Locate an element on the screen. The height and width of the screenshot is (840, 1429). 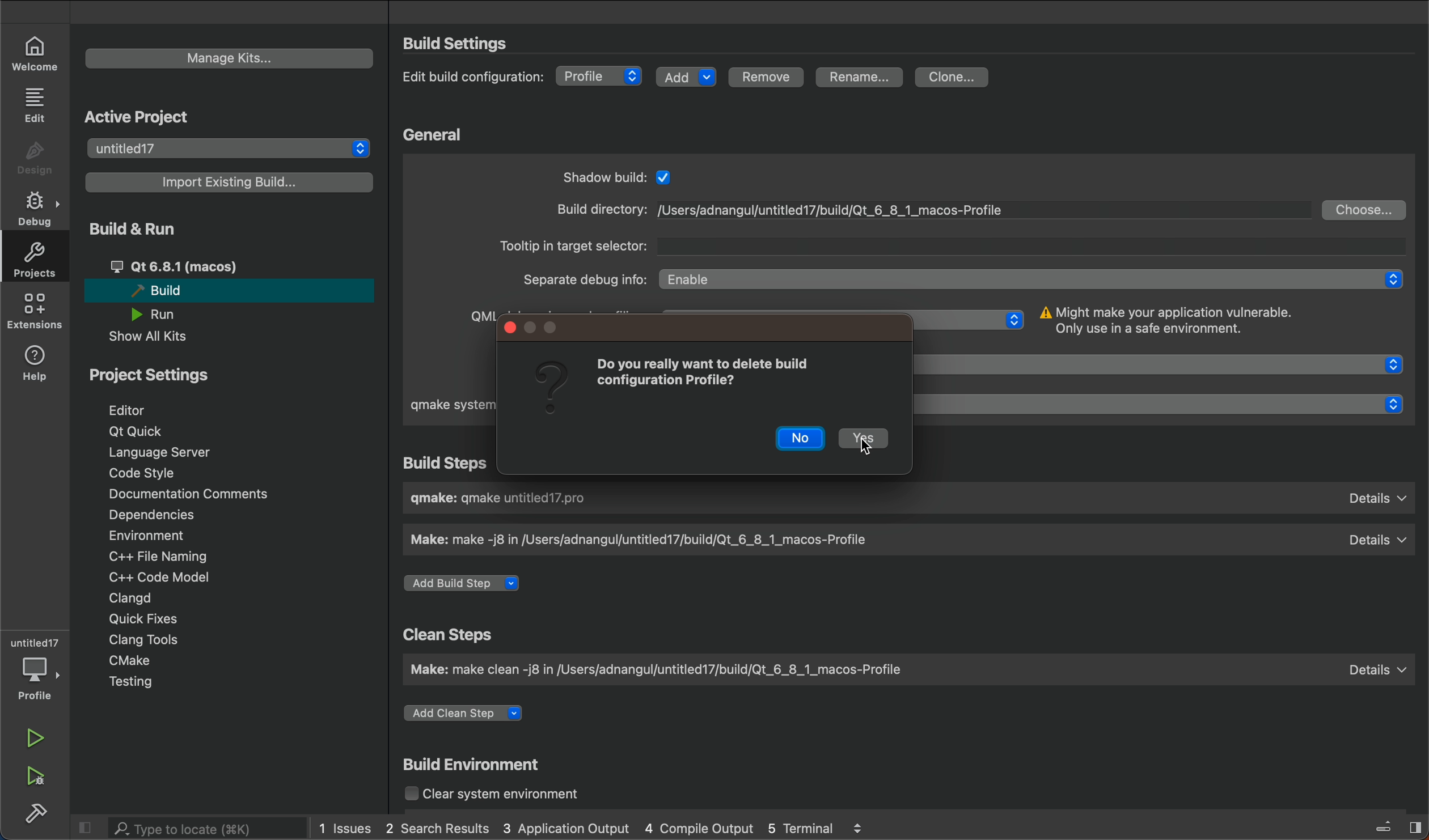
import a build is located at coordinates (228, 182).